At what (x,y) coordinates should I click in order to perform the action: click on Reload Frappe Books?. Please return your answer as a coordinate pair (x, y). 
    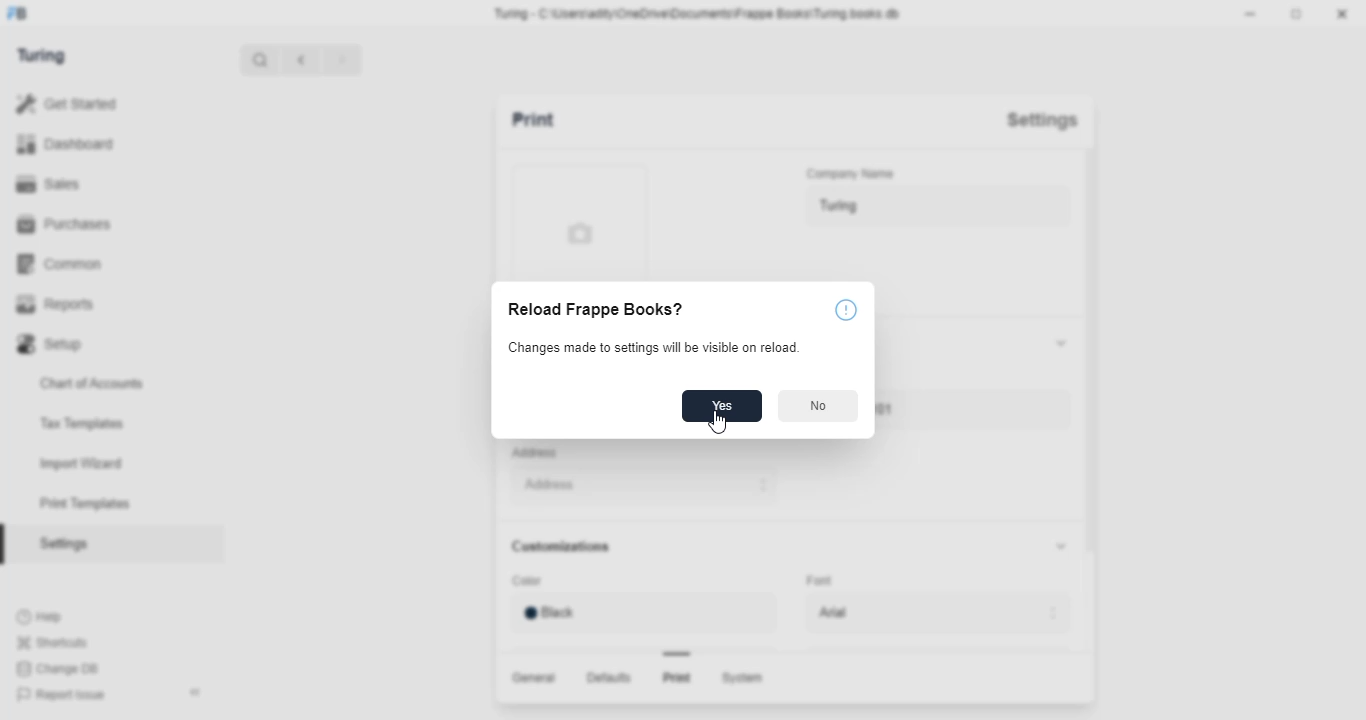
    Looking at the image, I should click on (592, 311).